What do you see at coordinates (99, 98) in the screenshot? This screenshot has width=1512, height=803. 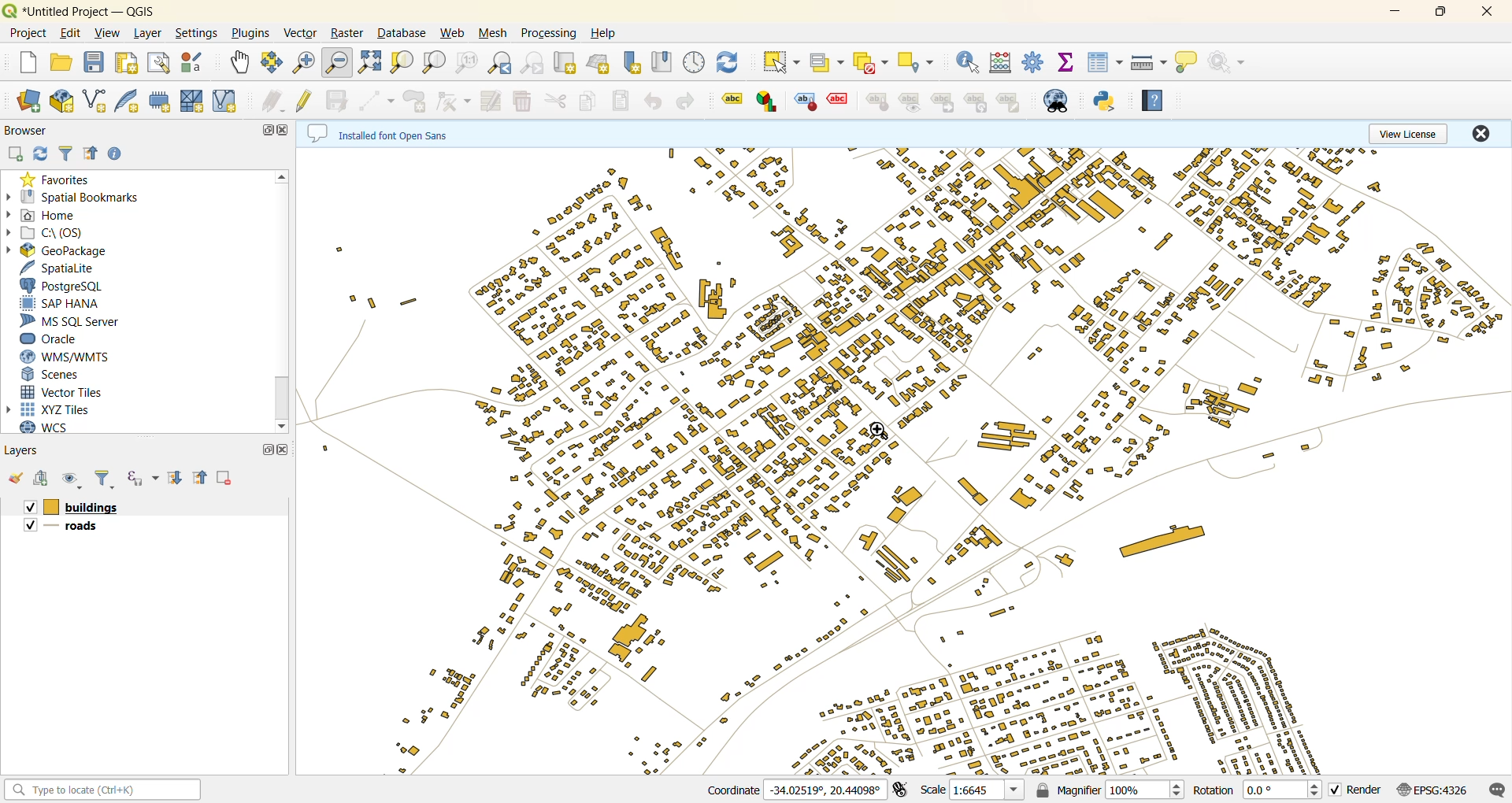 I see `new shapefile layer` at bounding box center [99, 98].